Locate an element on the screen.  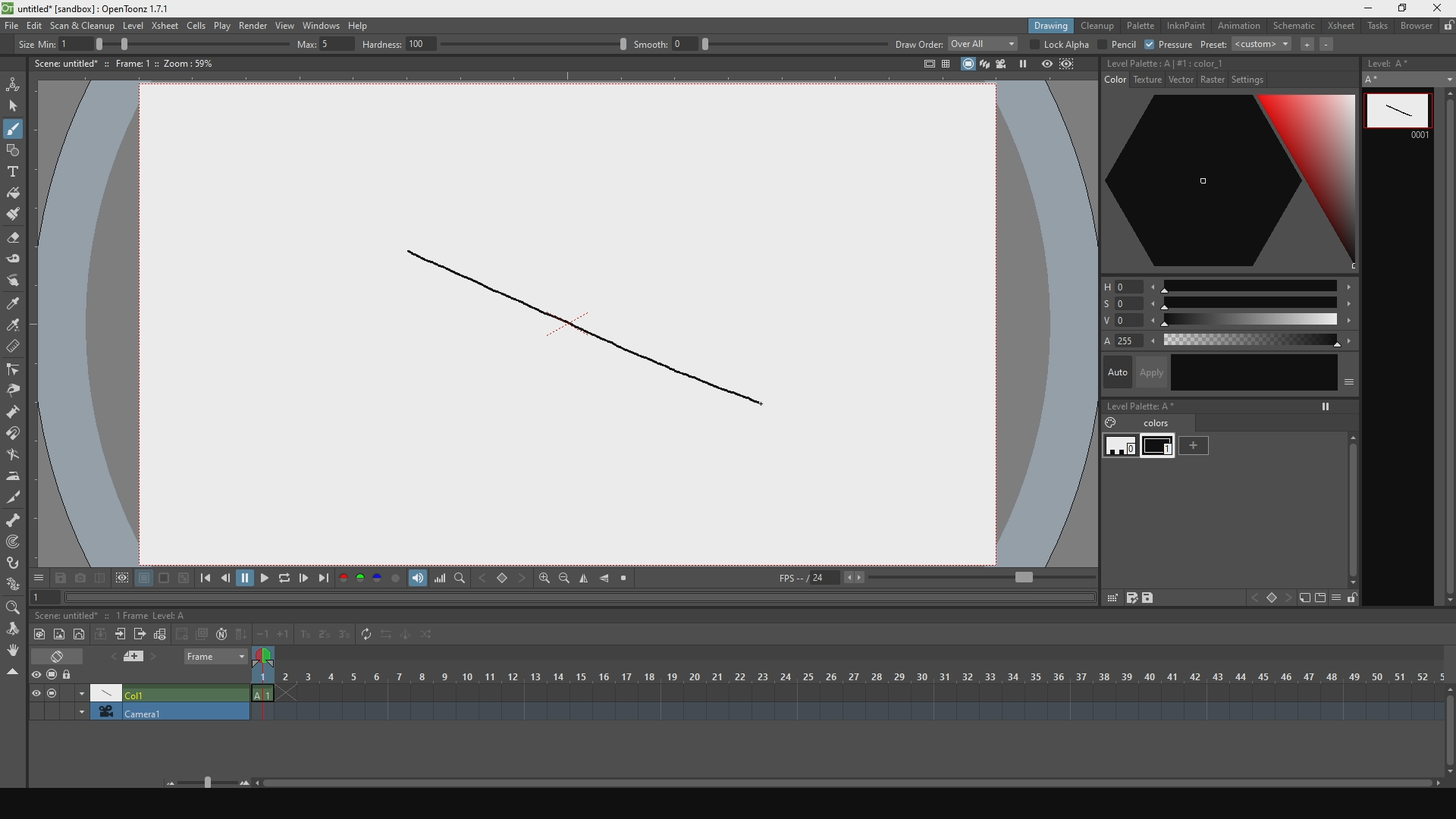
settings is located at coordinates (1255, 80).